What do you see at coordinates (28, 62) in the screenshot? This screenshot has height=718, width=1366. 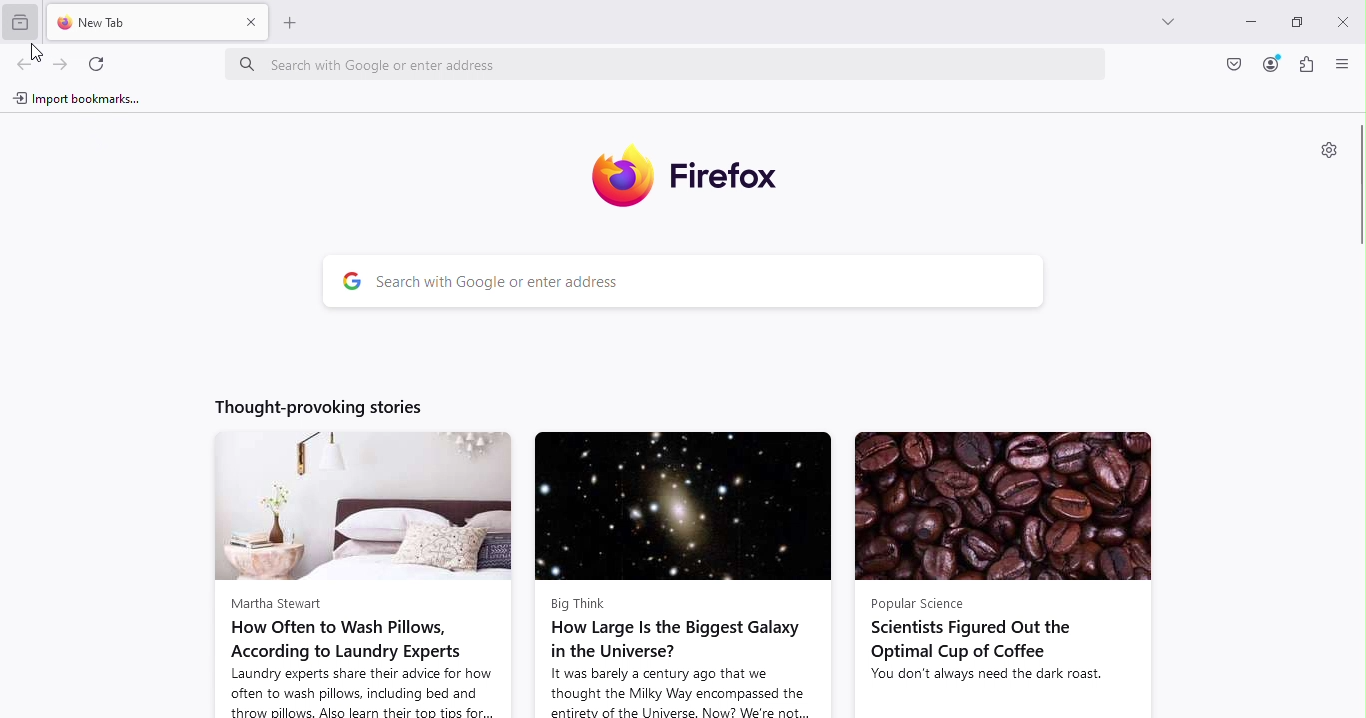 I see `Go back one page` at bounding box center [28, 62].